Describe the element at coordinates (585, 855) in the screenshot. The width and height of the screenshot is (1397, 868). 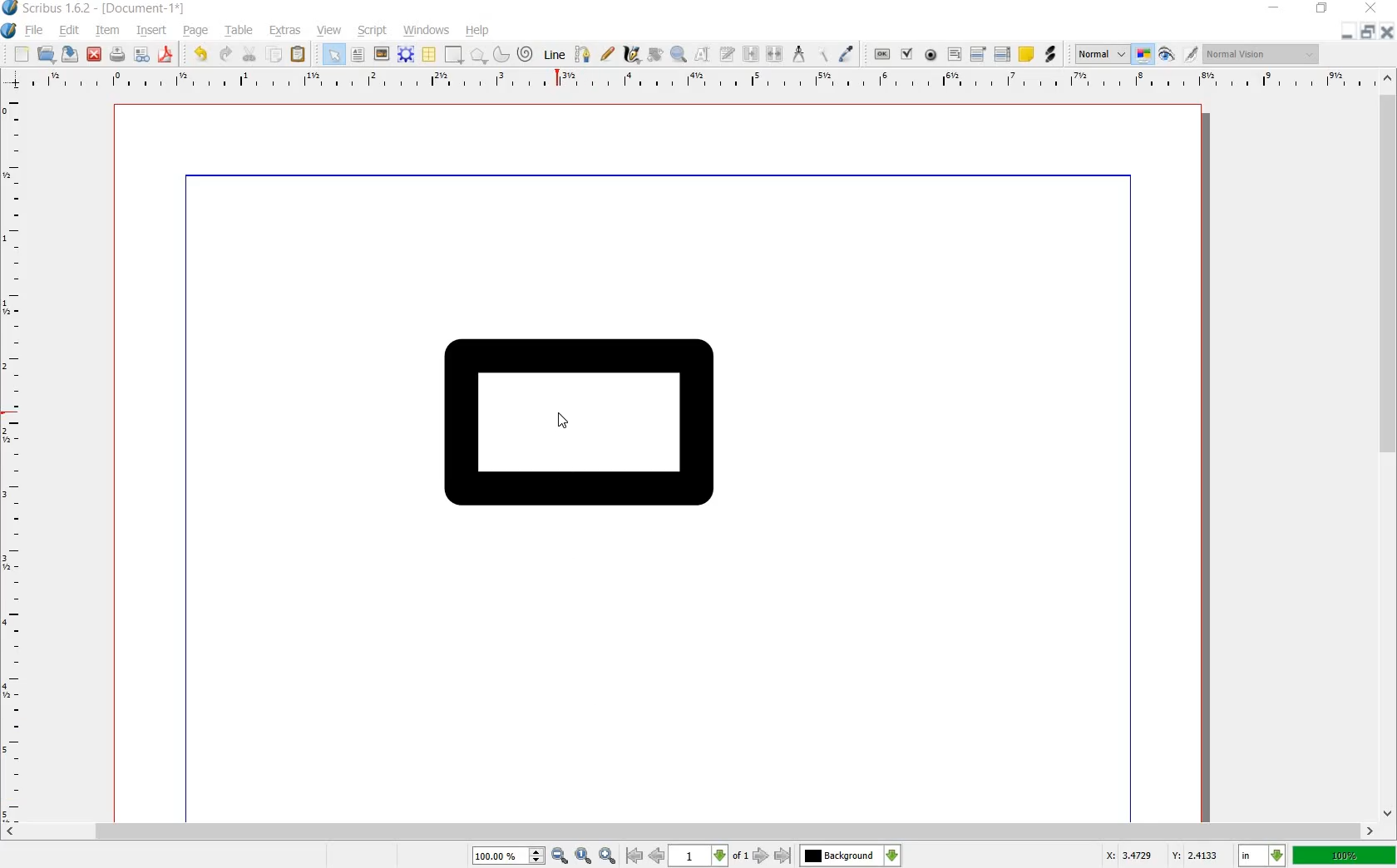
I see `Zoom to` at that location.